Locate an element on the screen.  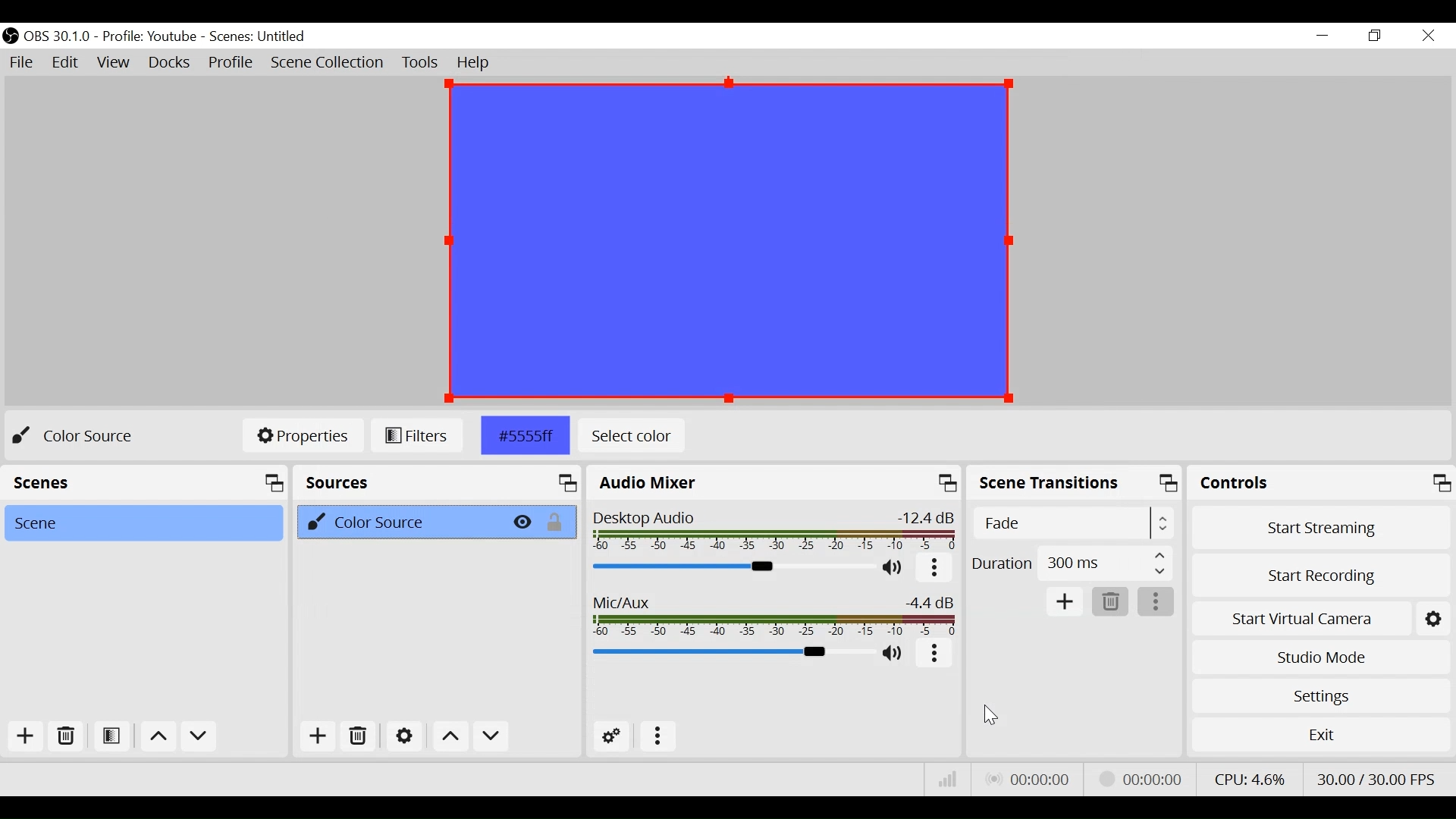
Start Recording is located at coordinates (1321, 577).